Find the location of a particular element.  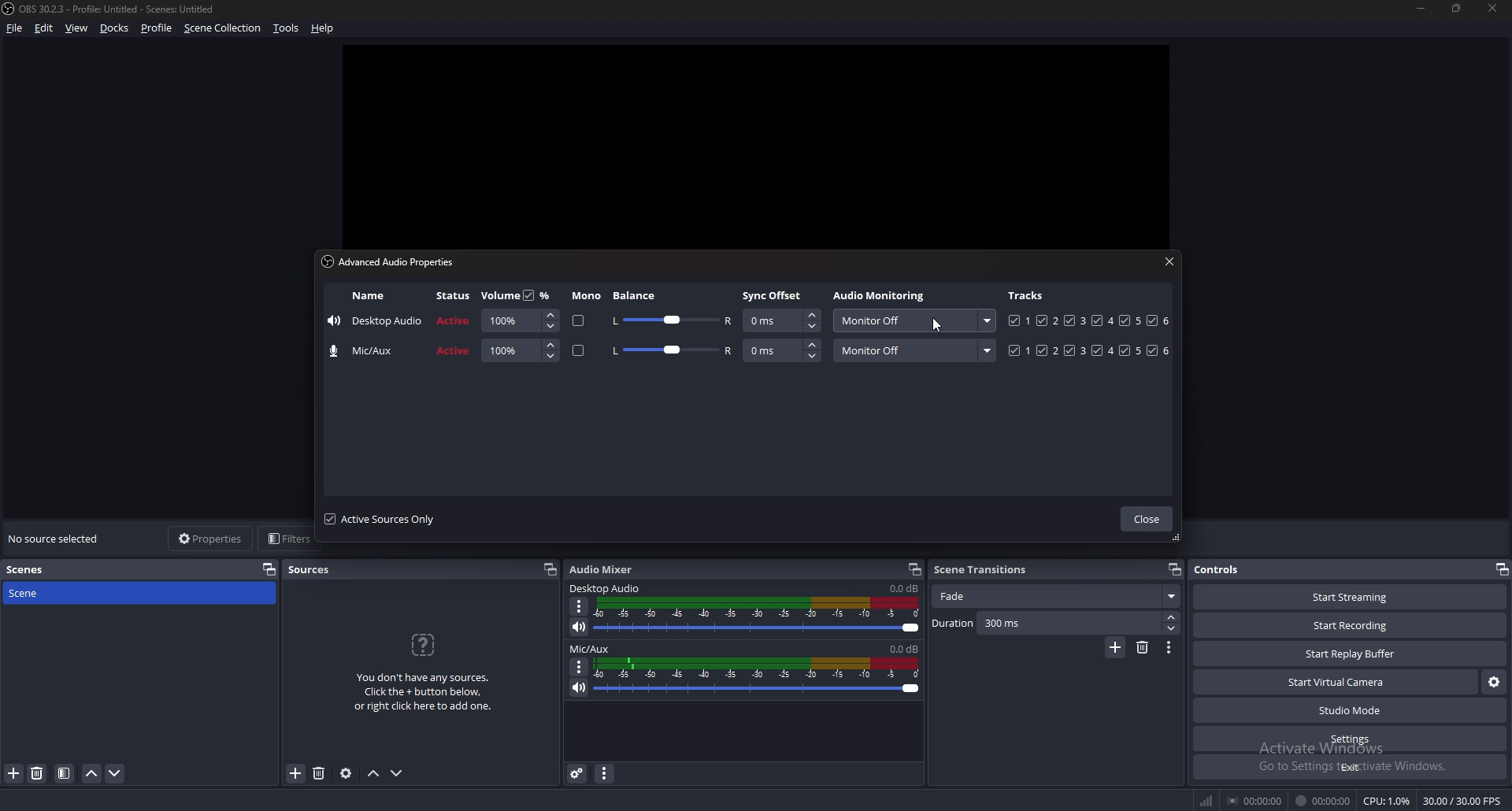

tracks is located at coordinates (1091, 320).